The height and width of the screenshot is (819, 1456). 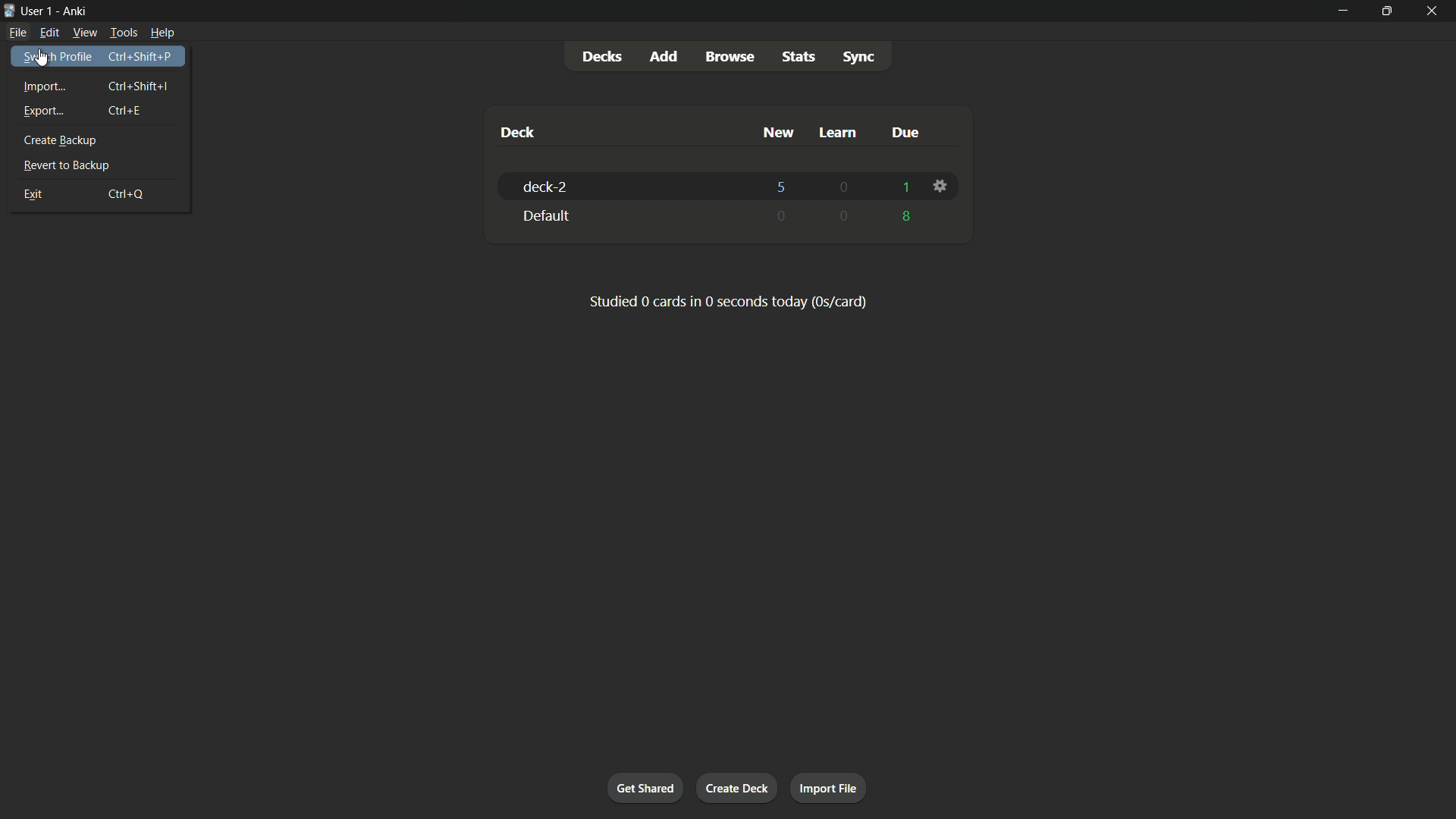 I want to click on View, so click(x=83, y=32).